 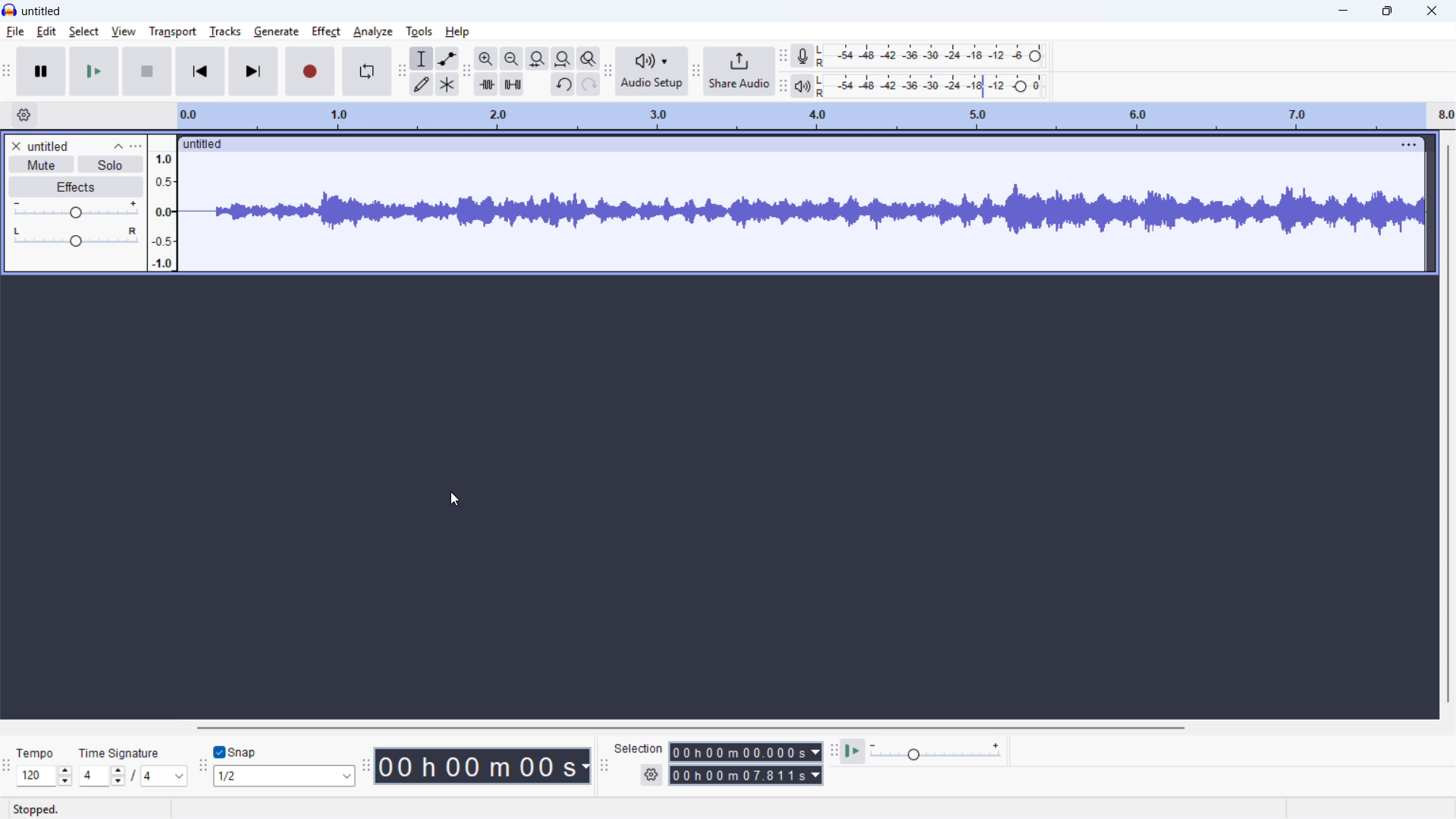 I want to click on set snapping, so click(x=284, y=777).